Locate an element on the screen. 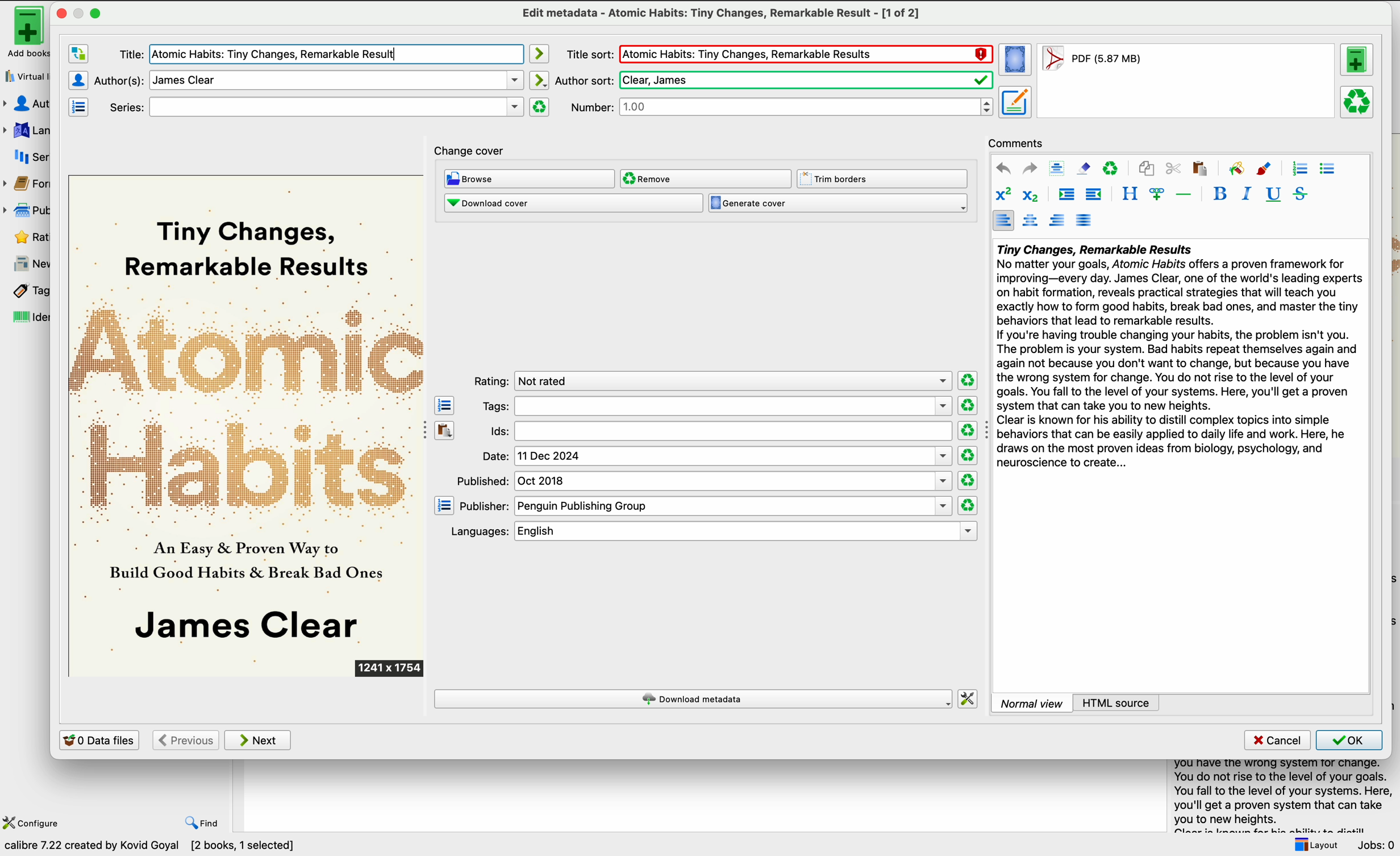 This screenshot has height=856, width=1400. italic is located at coordinates (1247, 194).